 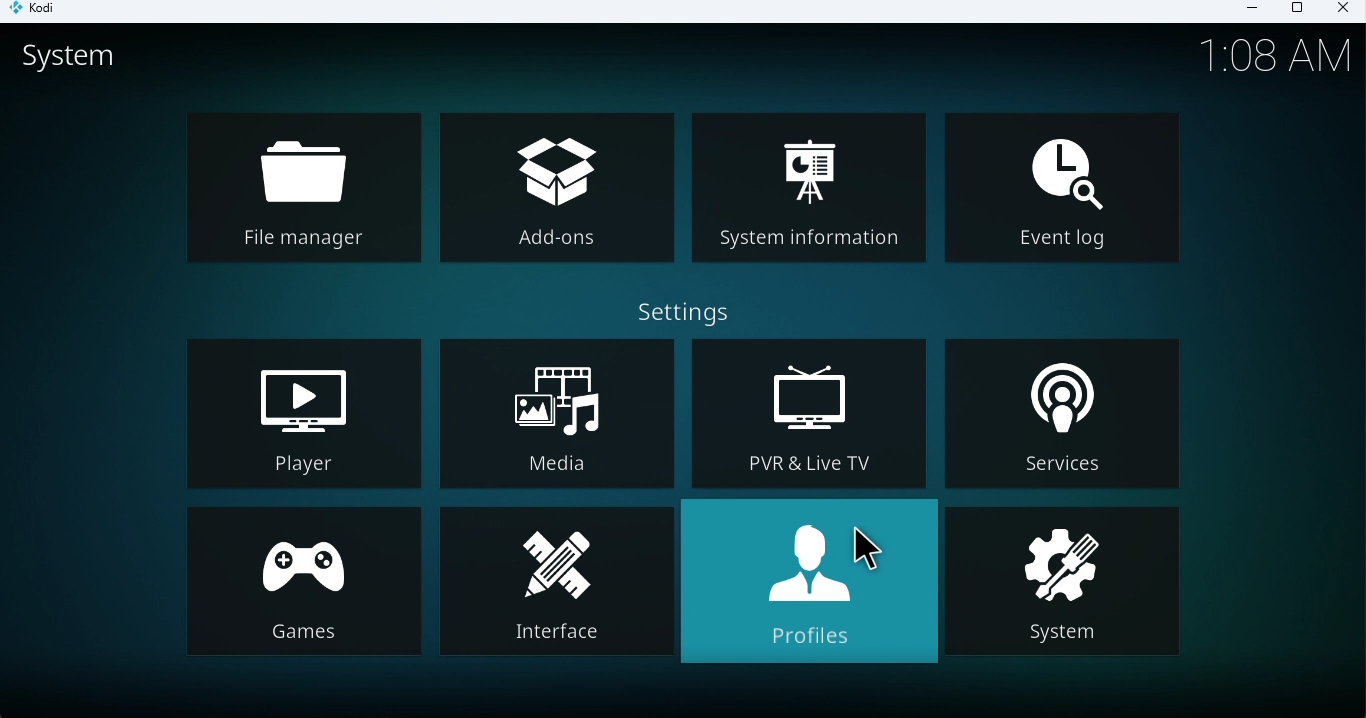 I want to click on System, so click(x=1067, y=583).